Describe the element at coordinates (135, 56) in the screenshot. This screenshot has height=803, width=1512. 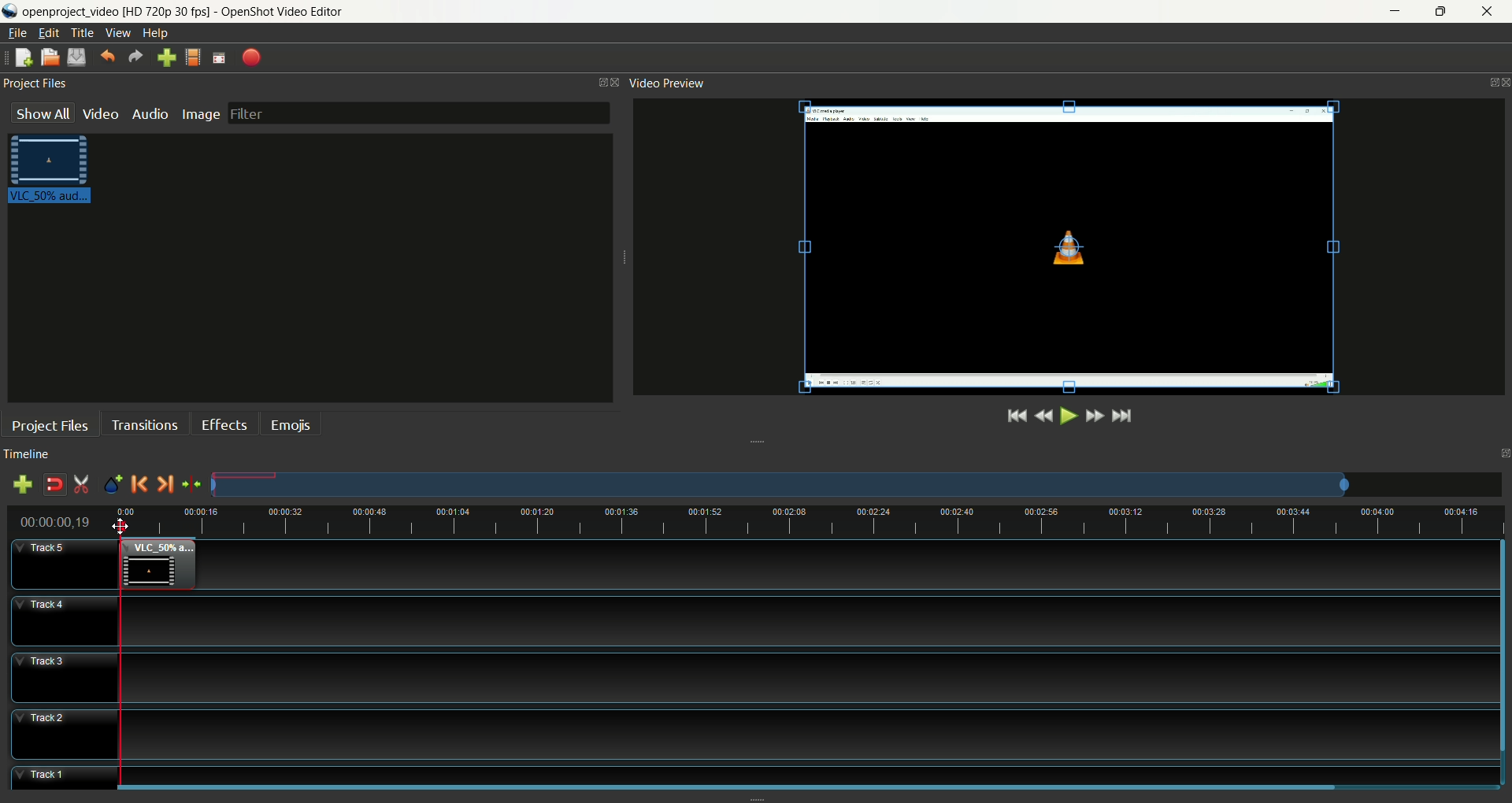
I see `redo` at that location.